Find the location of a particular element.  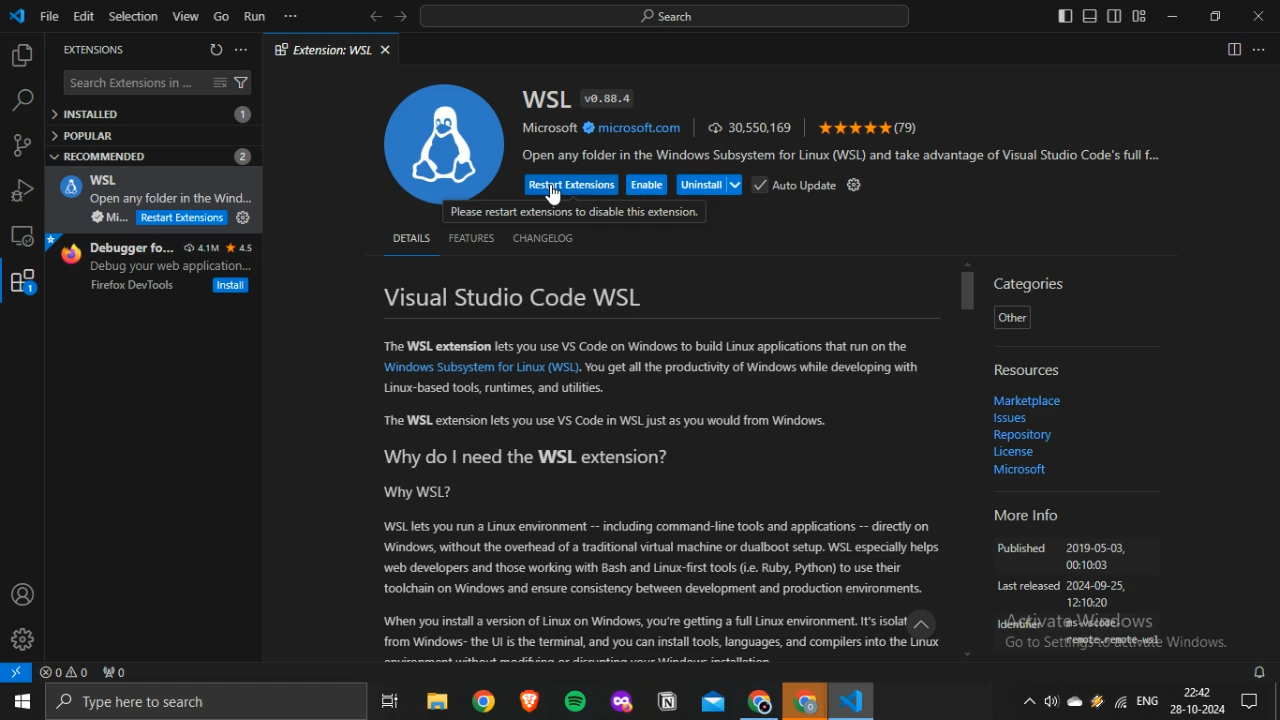

WSL is located at coordinates (70, 187).